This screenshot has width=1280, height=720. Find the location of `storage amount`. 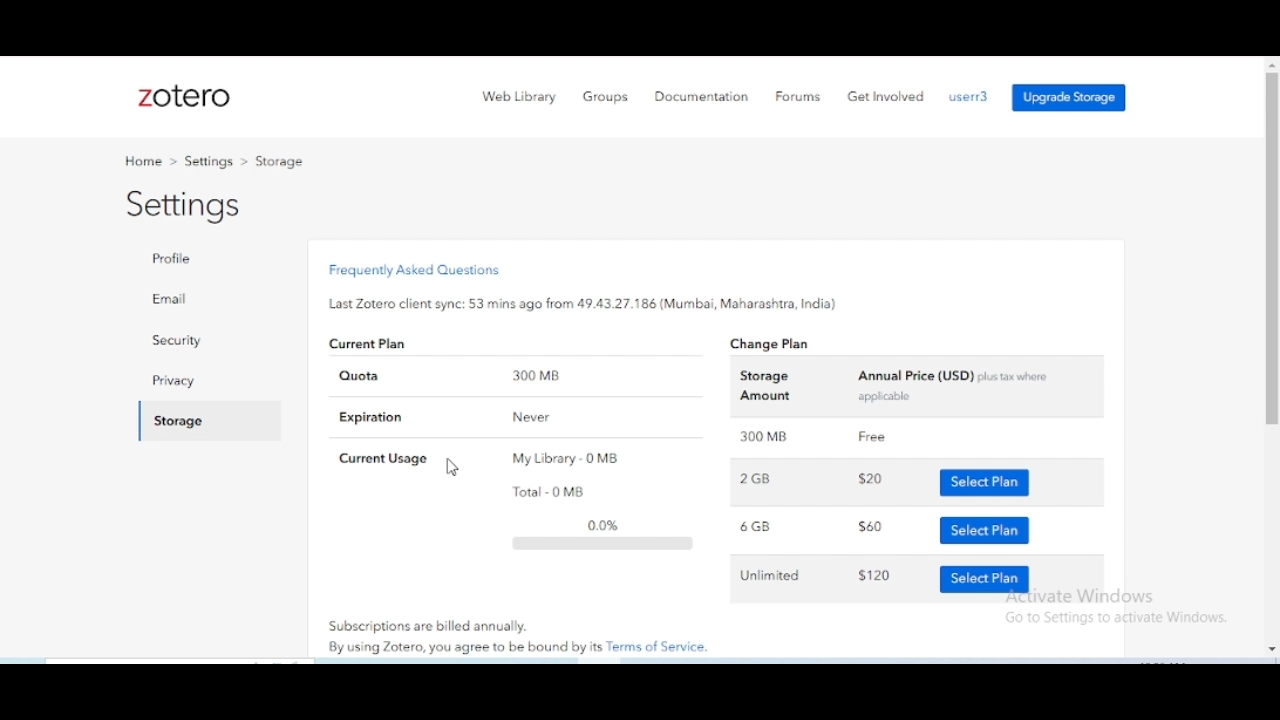

storage amount is located at coordinates (765, 388).